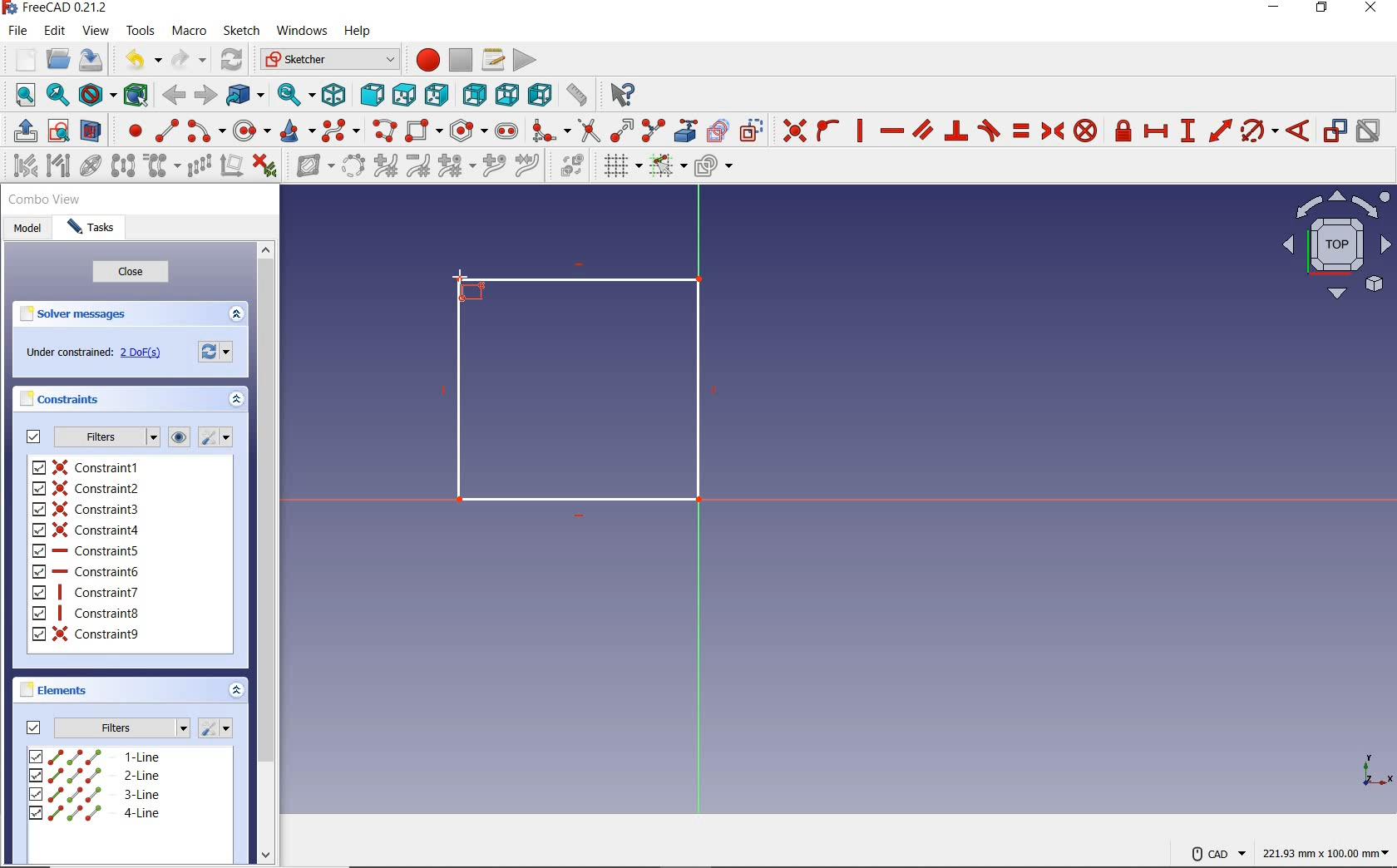 This screenshot has width=1397, height=868. Describe the element at coordinates (751, 129) in the screenshot. I see `toggle construction geometry` at that location.